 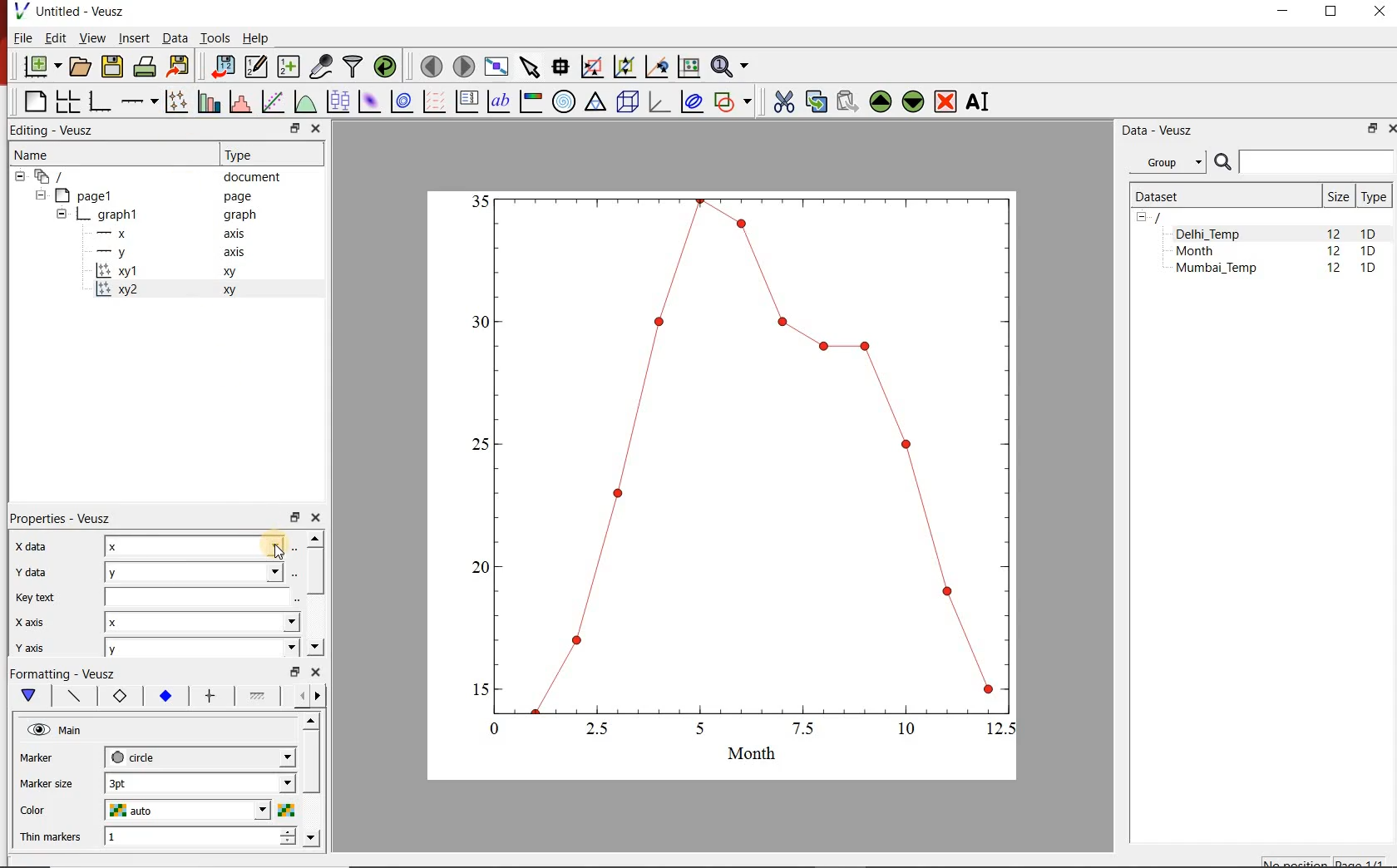 I want to click on save the document, so click(x=111, y=67).